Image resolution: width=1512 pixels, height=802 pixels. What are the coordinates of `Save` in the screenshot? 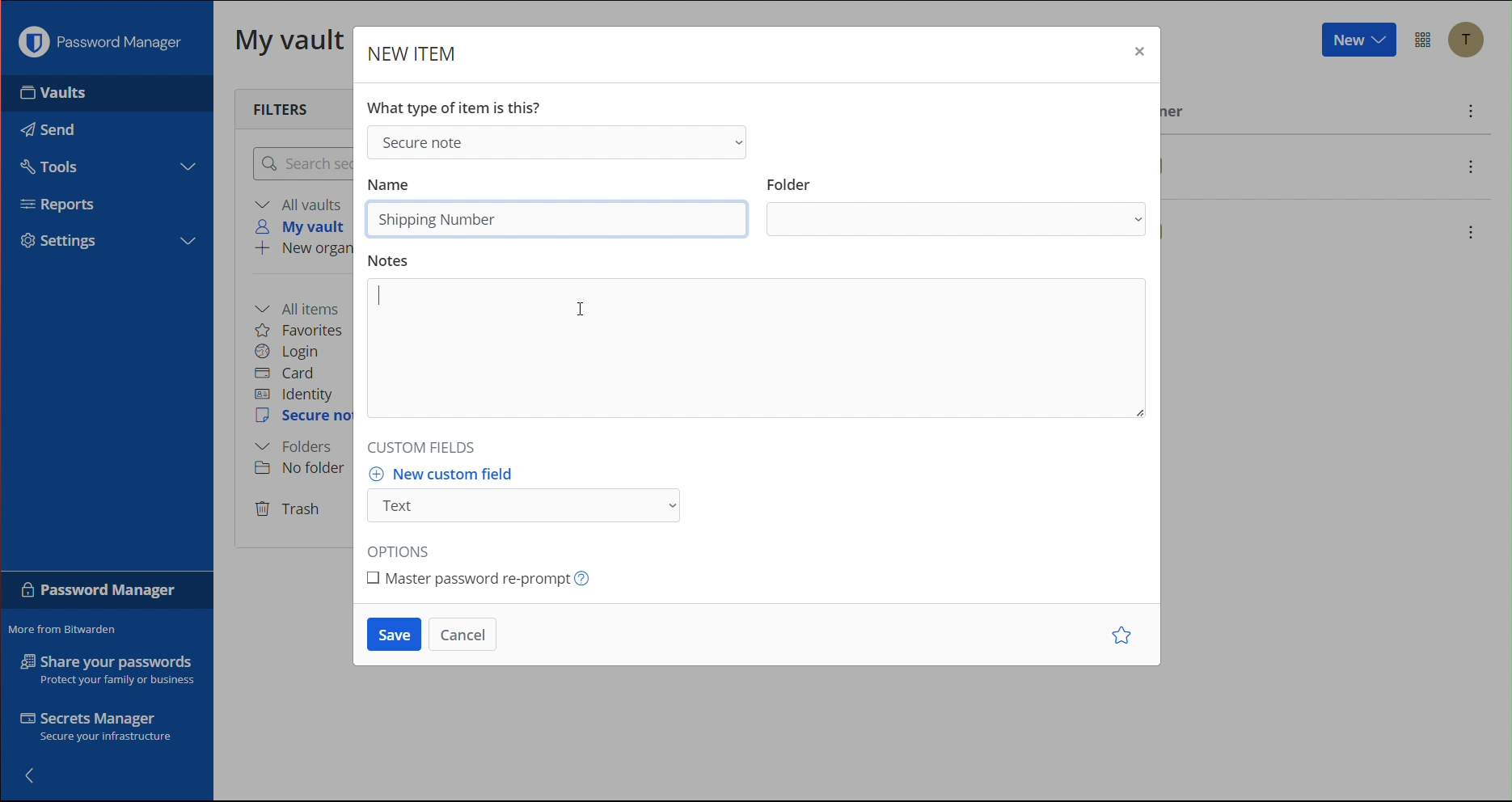 It's located at (391, 634).